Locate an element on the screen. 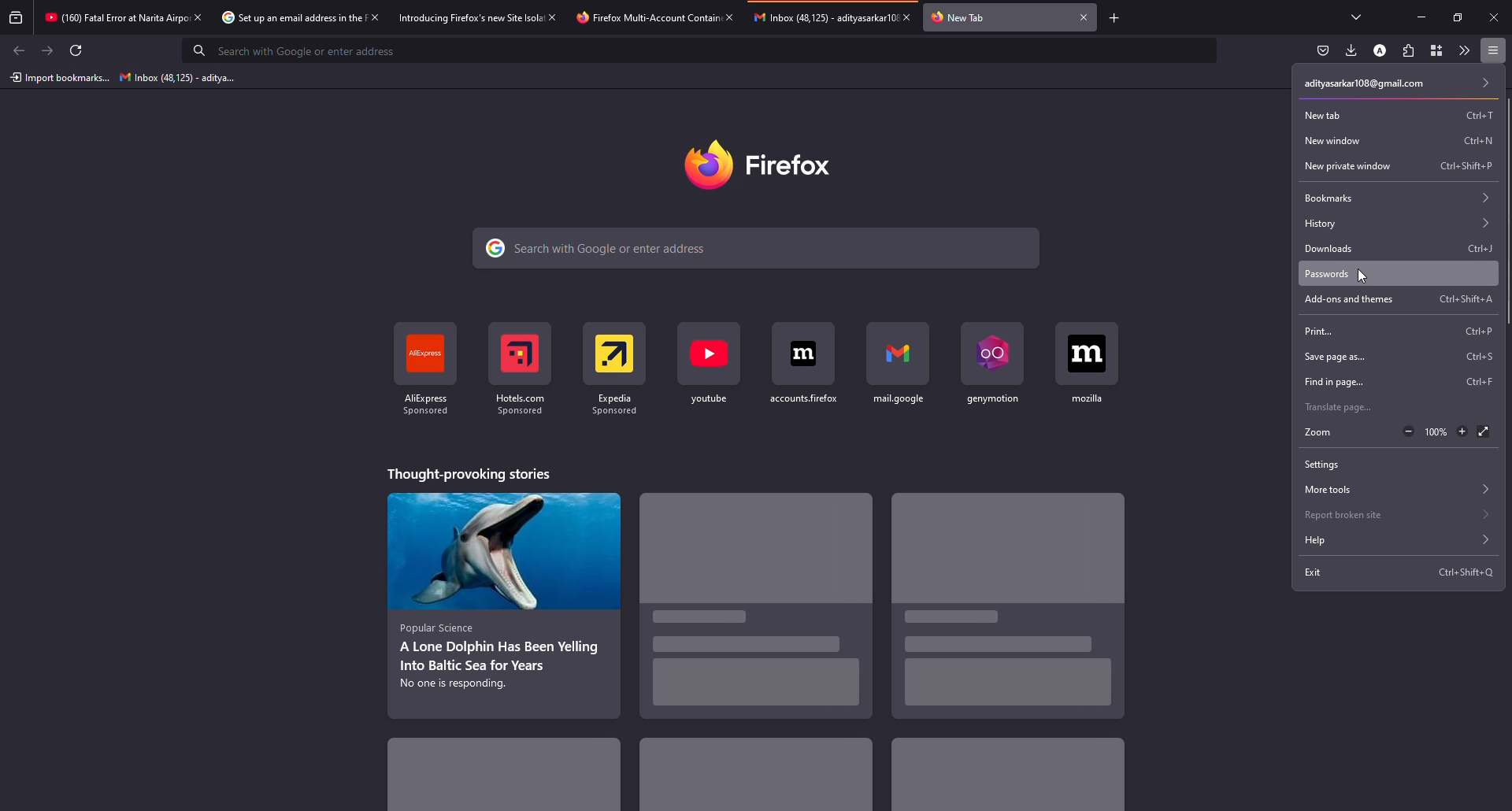  zoom options is located at coordinates (1432, 432).